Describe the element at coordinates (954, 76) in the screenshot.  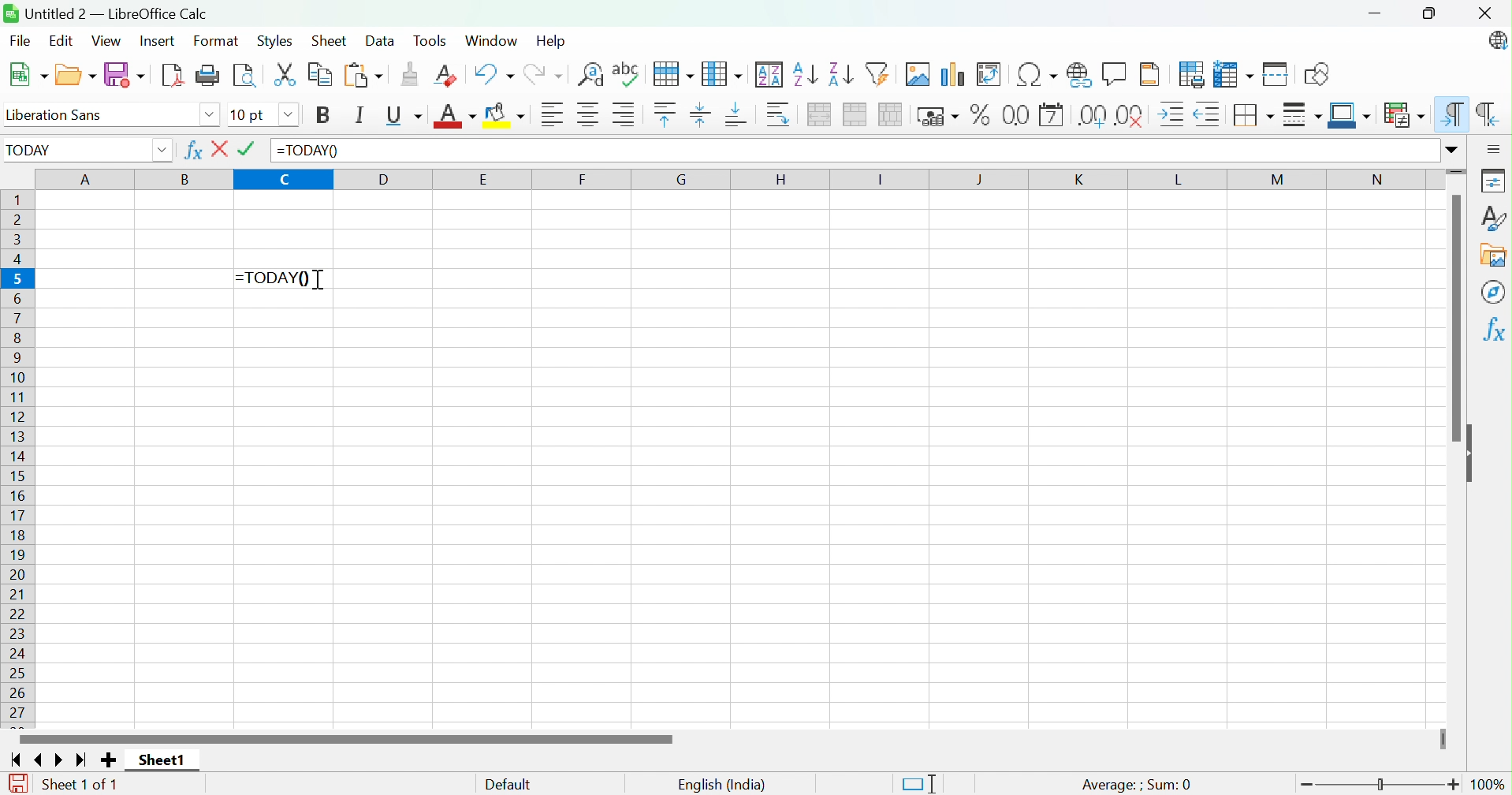
I see `Insert chart` at that location.